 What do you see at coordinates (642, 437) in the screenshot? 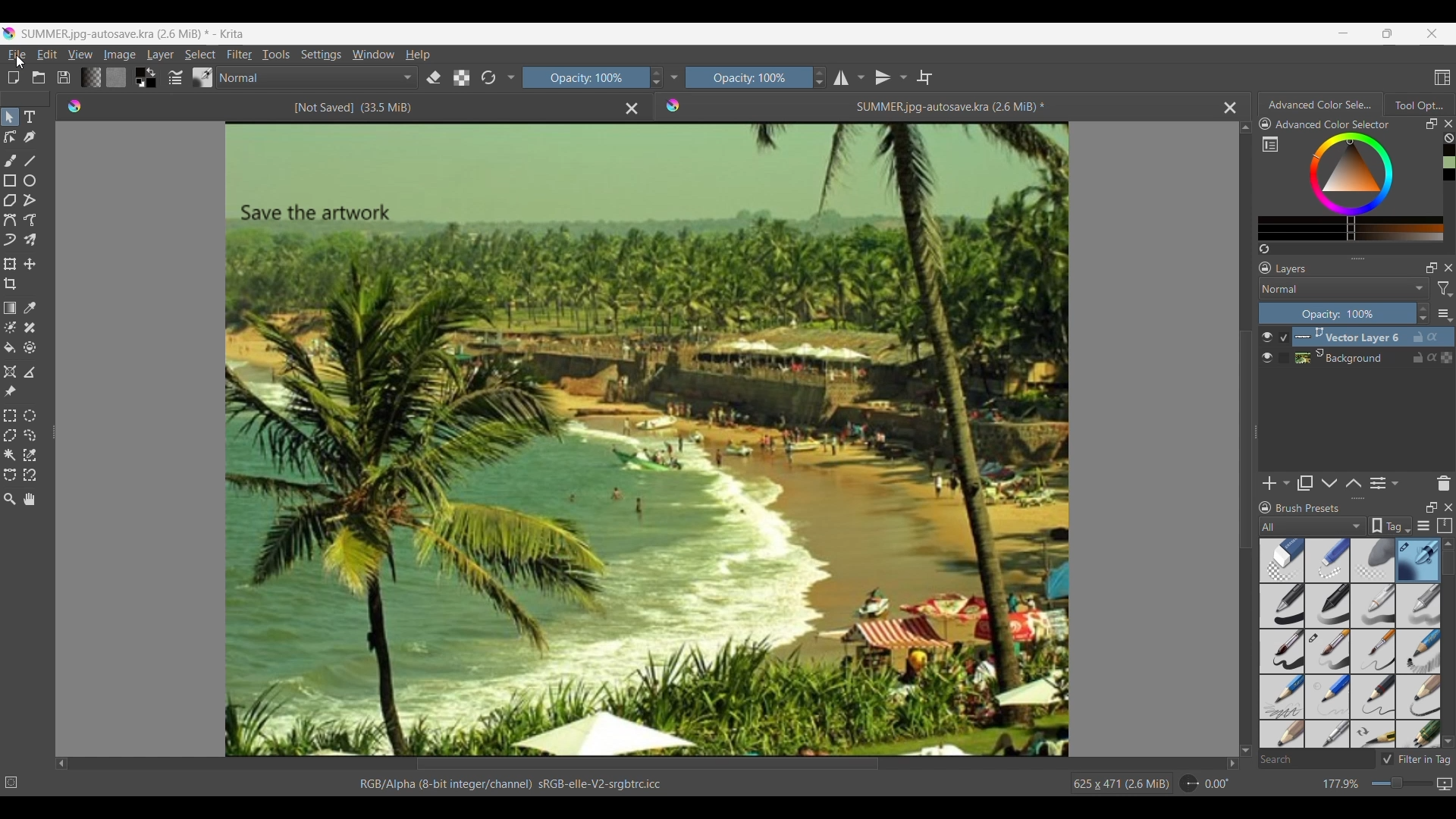
I see `Image/Artwork space` at bounding box center [642, 437].